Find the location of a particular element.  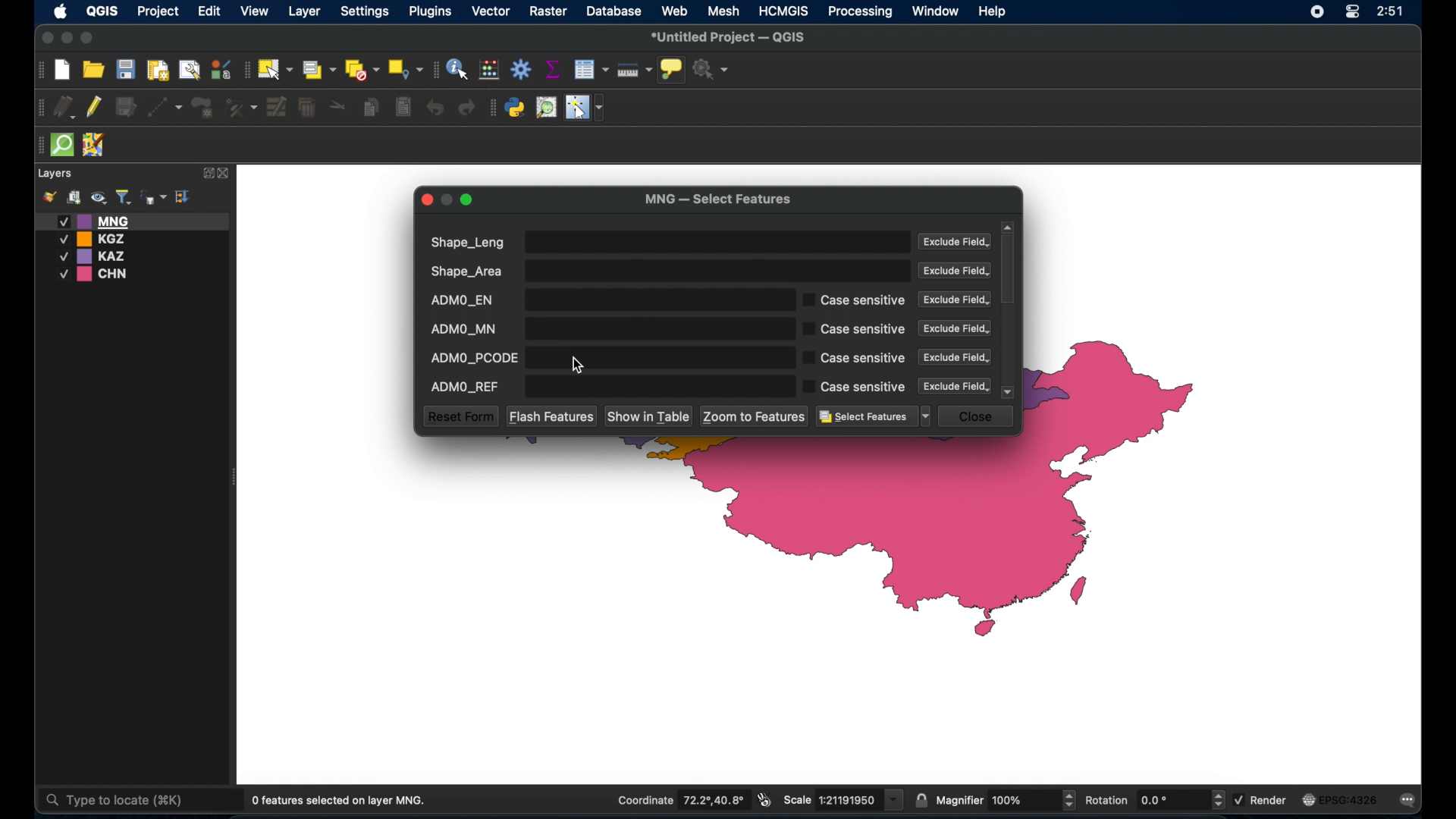

identify feature is located at coordinates (459, 69).